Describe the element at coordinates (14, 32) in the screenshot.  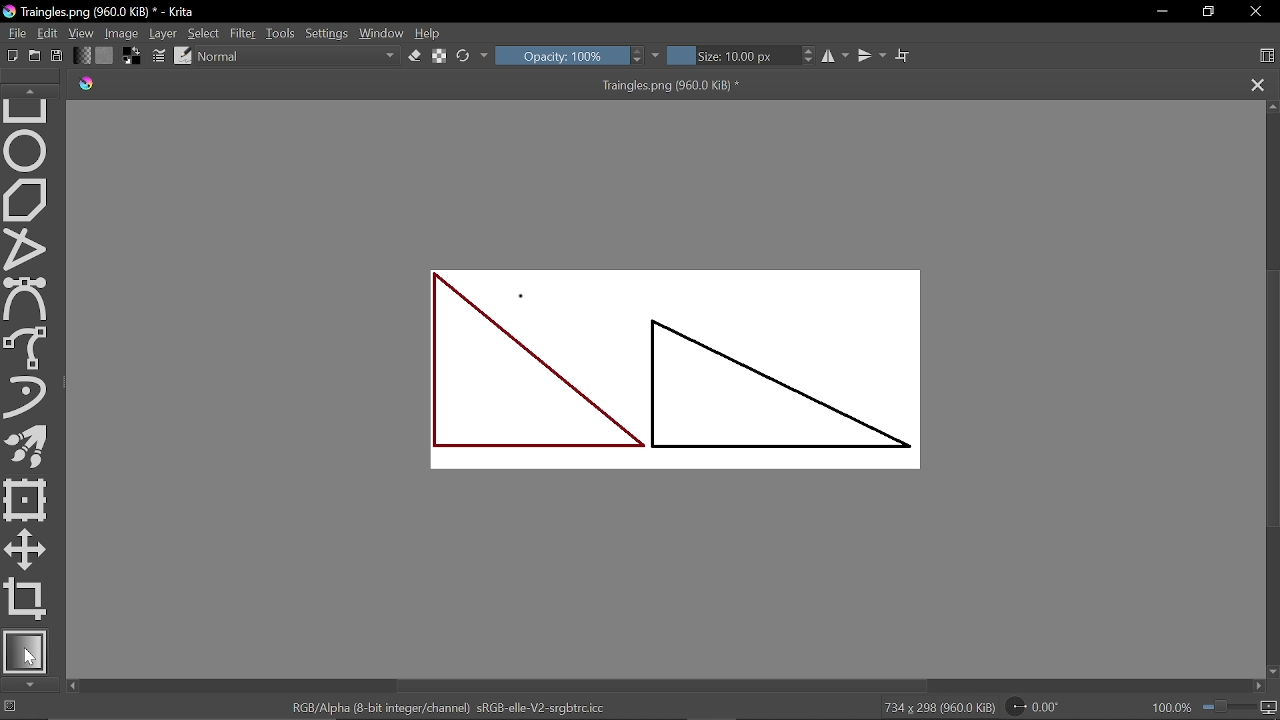
I see `File` at that location.